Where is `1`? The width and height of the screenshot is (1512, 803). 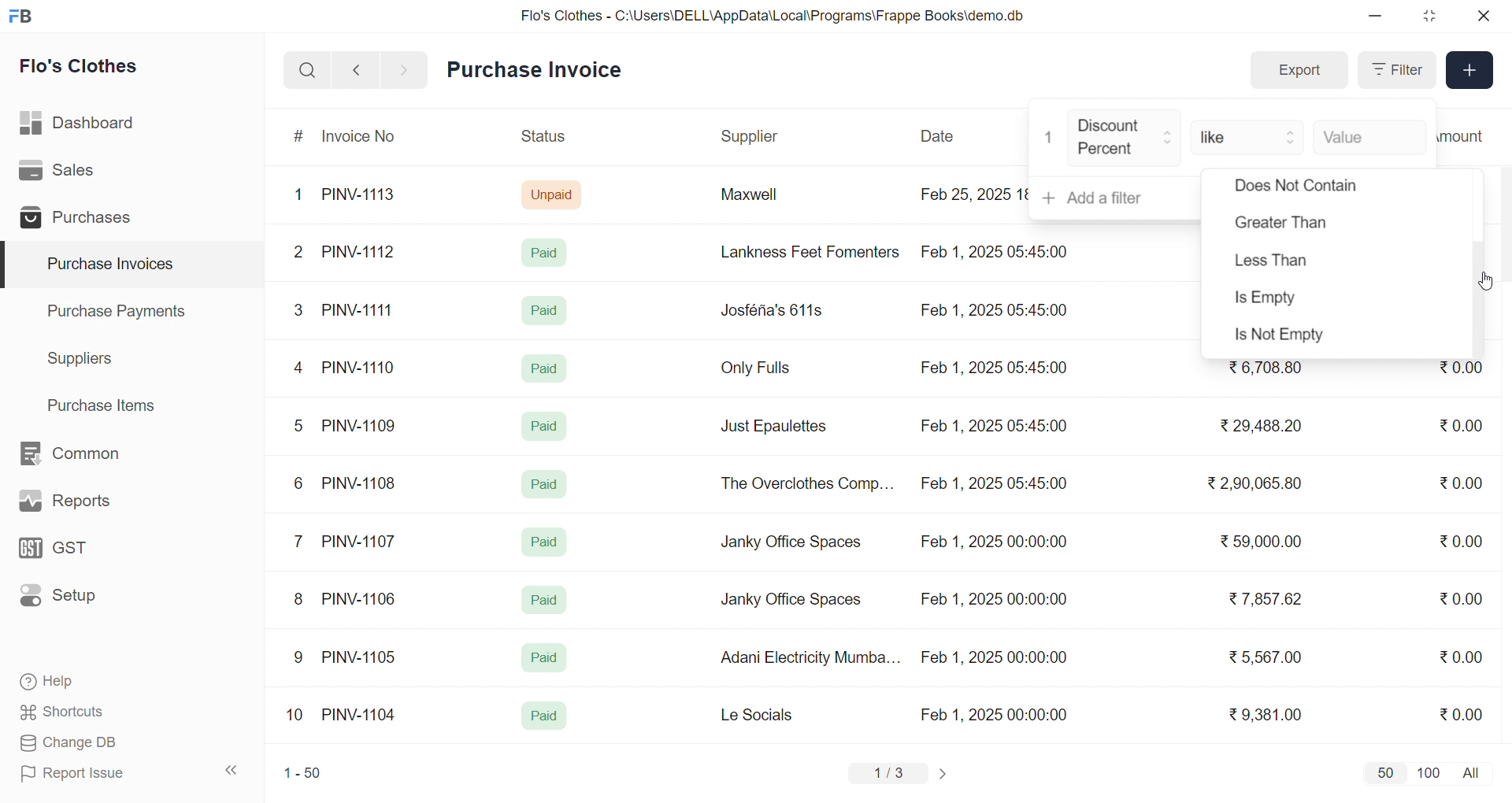 1 is located at coordinates (1050, 138).